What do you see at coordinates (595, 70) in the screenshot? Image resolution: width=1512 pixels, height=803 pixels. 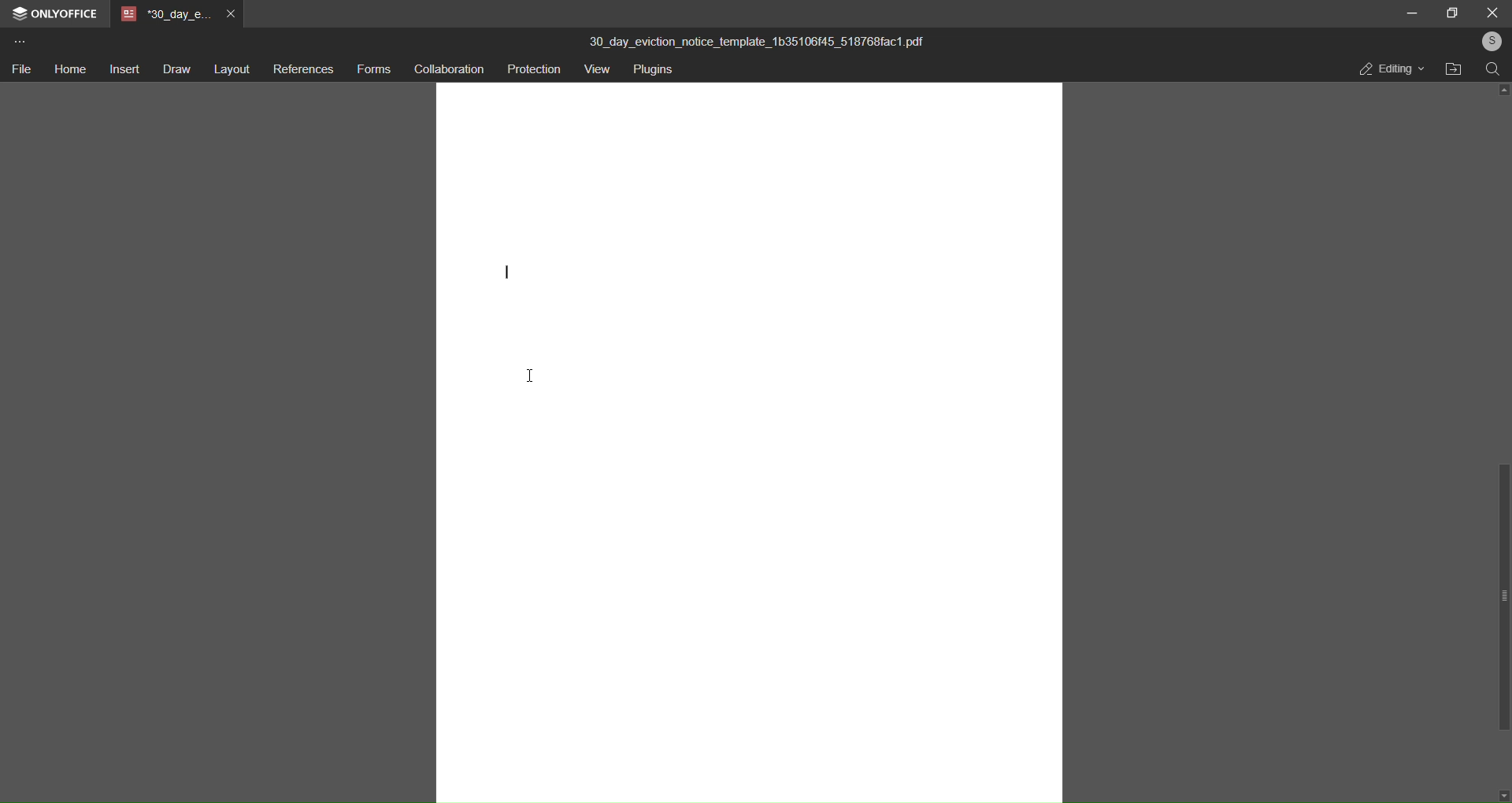 I see `view` at bounding box center [595, 70].